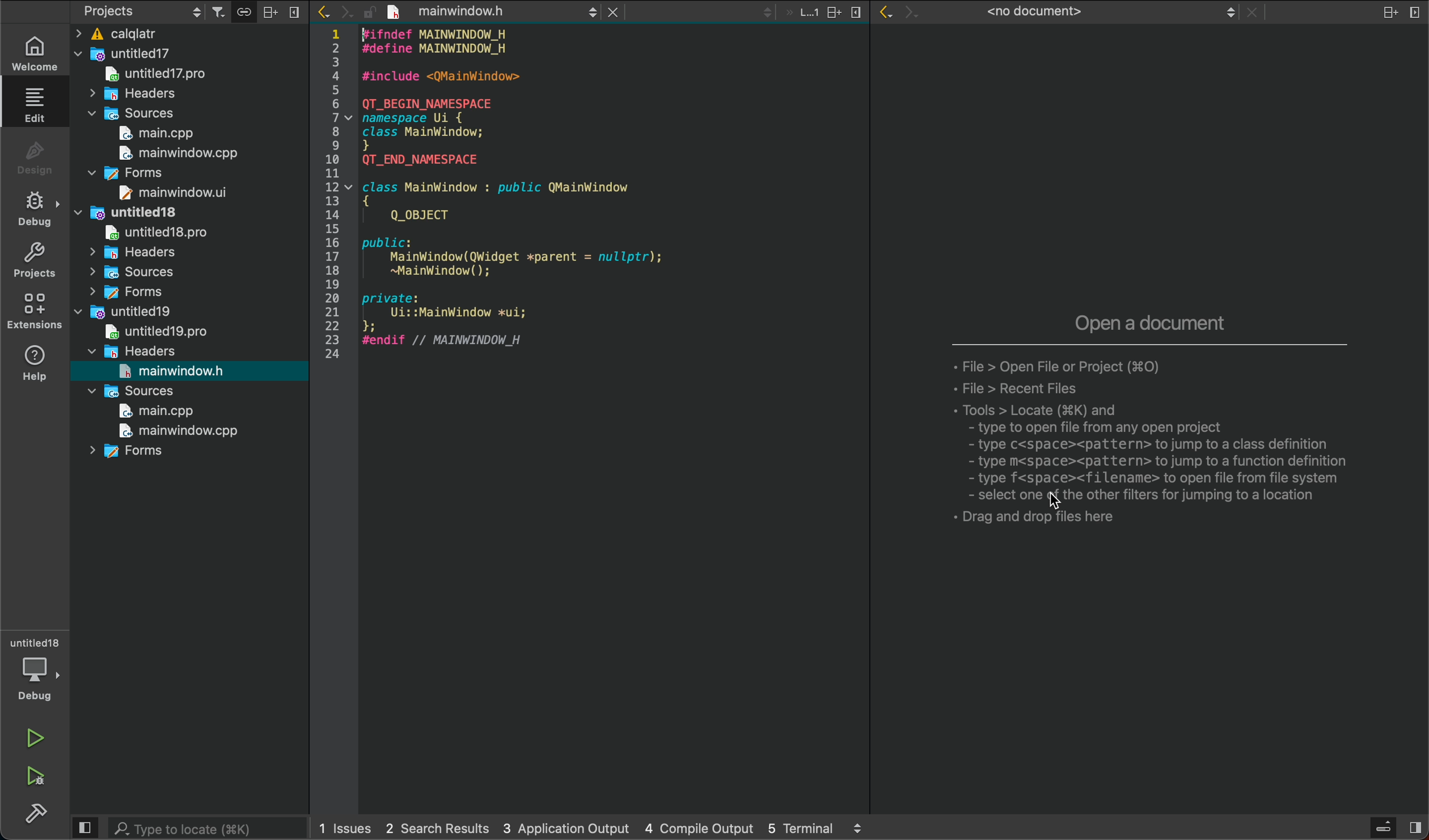  Describe the element at coordinates (179, 432) in the screenshot. I see `mainwindow.cpp` at that location.